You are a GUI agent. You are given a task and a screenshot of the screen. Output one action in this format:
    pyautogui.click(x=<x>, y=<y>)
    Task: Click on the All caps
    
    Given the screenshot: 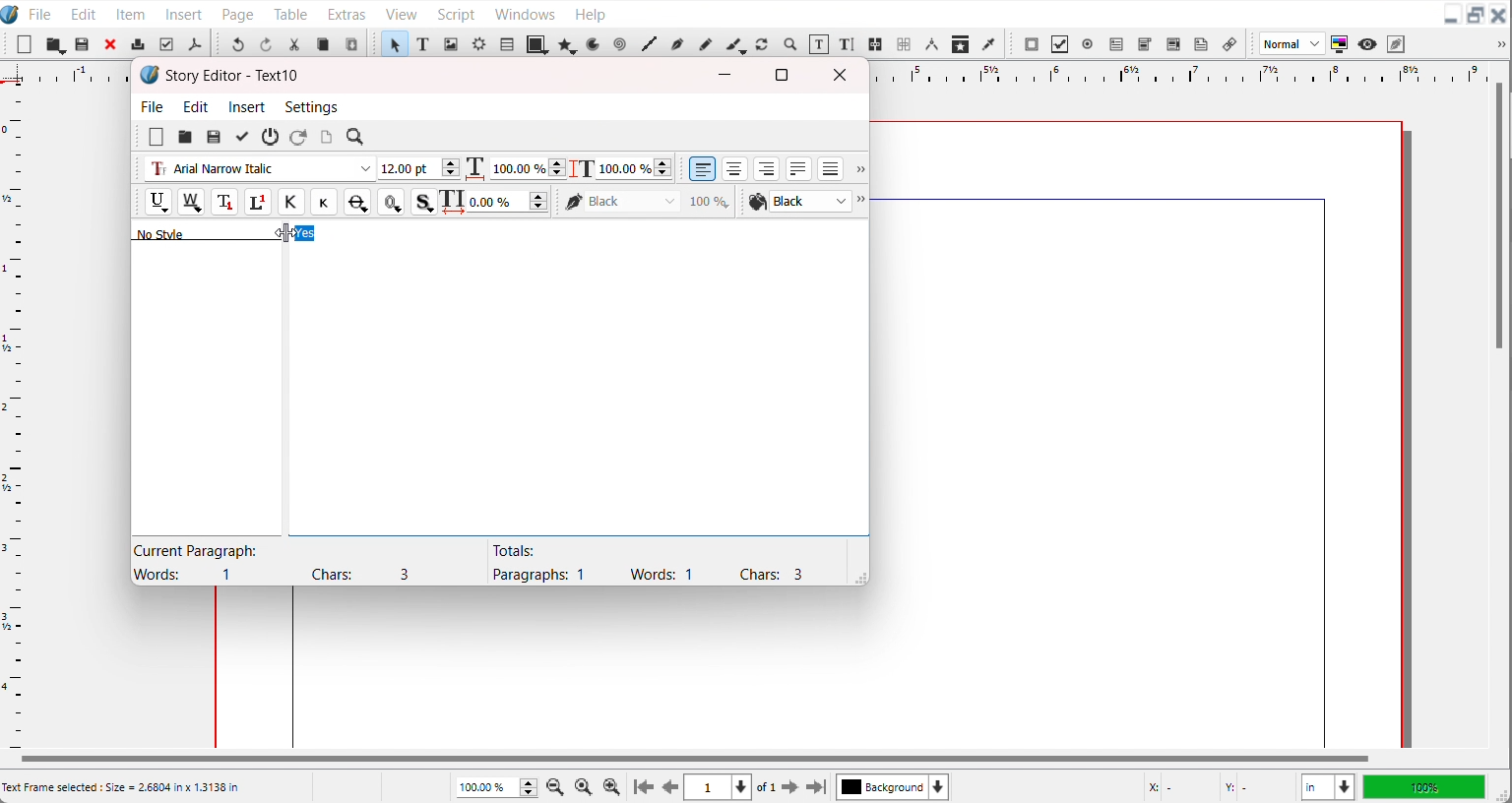 What is the action you would take?
    pyautogui.click(x=290, y=202)
    